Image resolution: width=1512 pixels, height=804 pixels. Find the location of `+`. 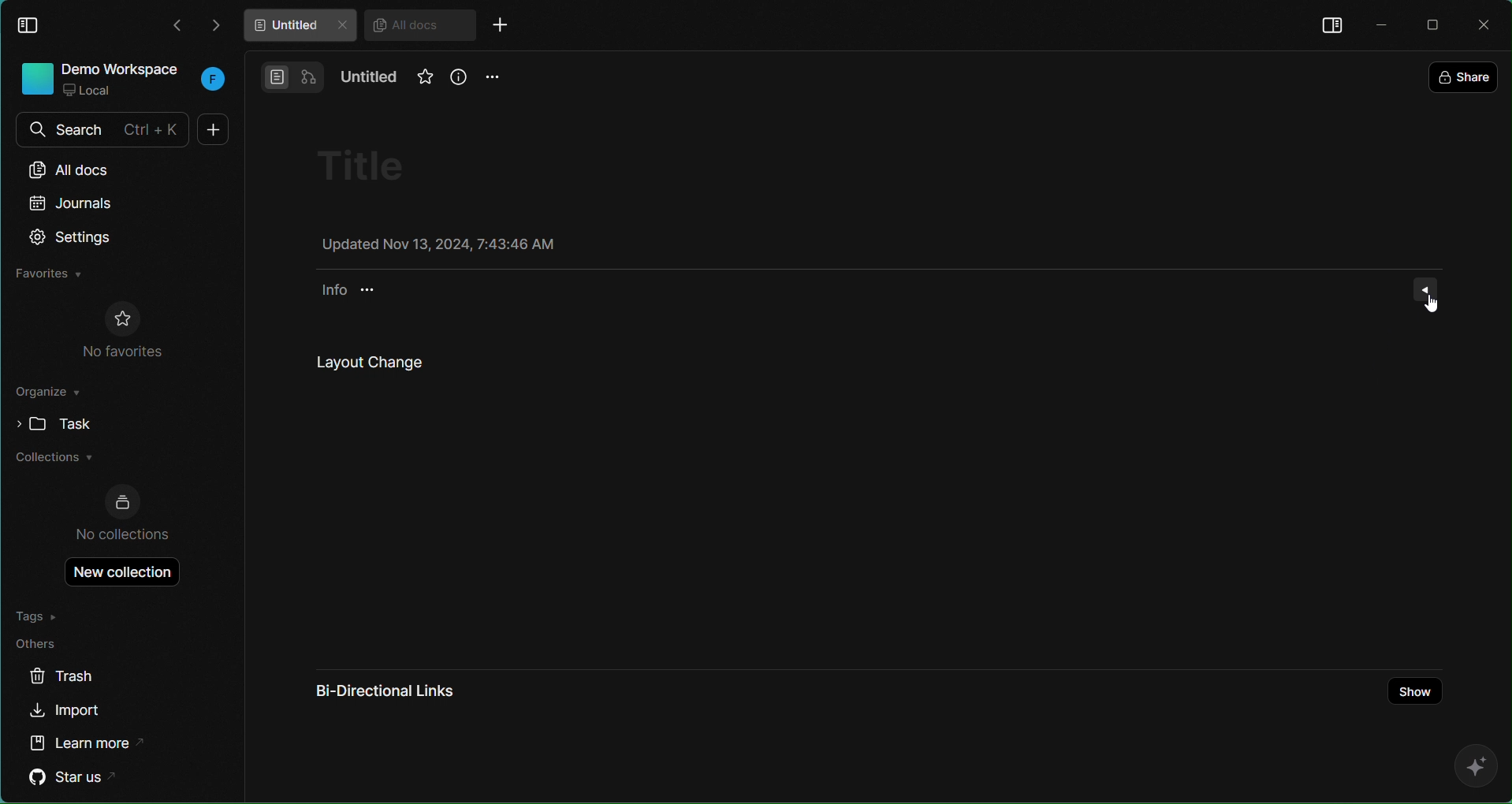

+ is located at coordinates (210, 129).